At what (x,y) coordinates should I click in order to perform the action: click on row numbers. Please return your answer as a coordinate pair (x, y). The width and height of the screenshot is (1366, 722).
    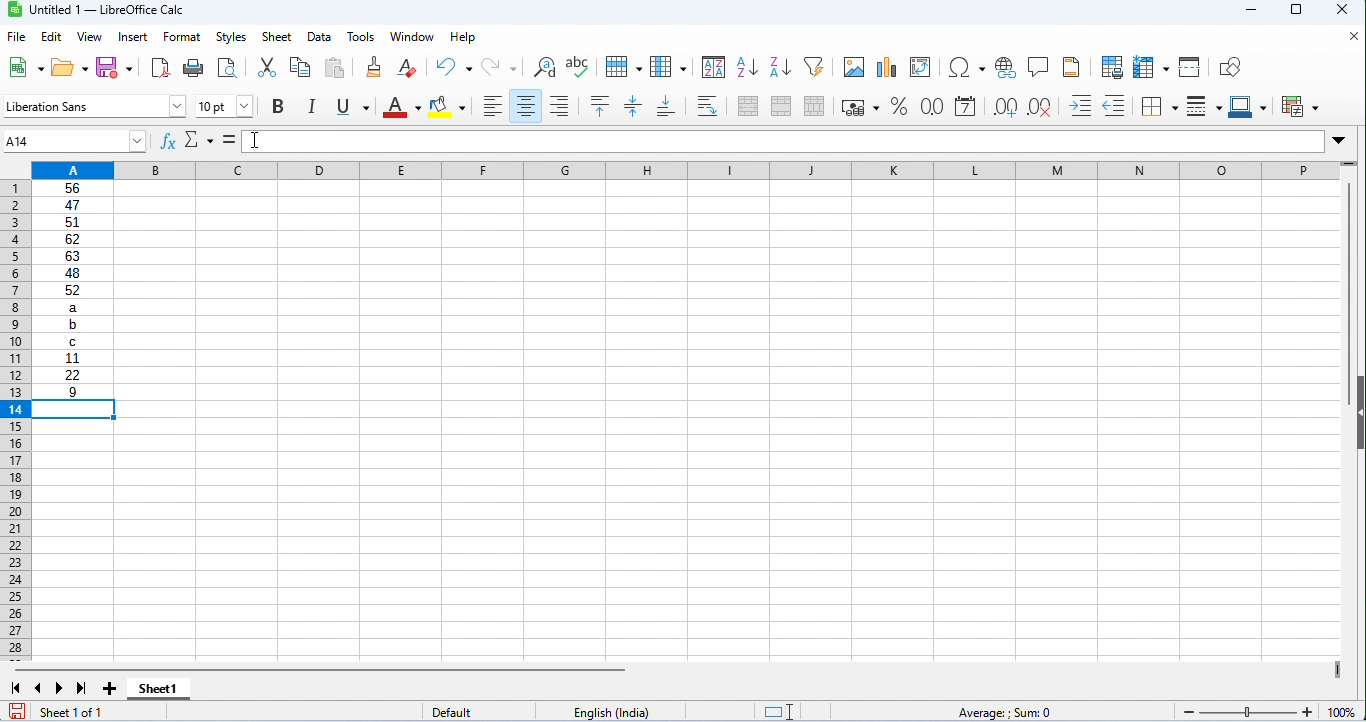
    Looking at the image, I should click on (17, 421).